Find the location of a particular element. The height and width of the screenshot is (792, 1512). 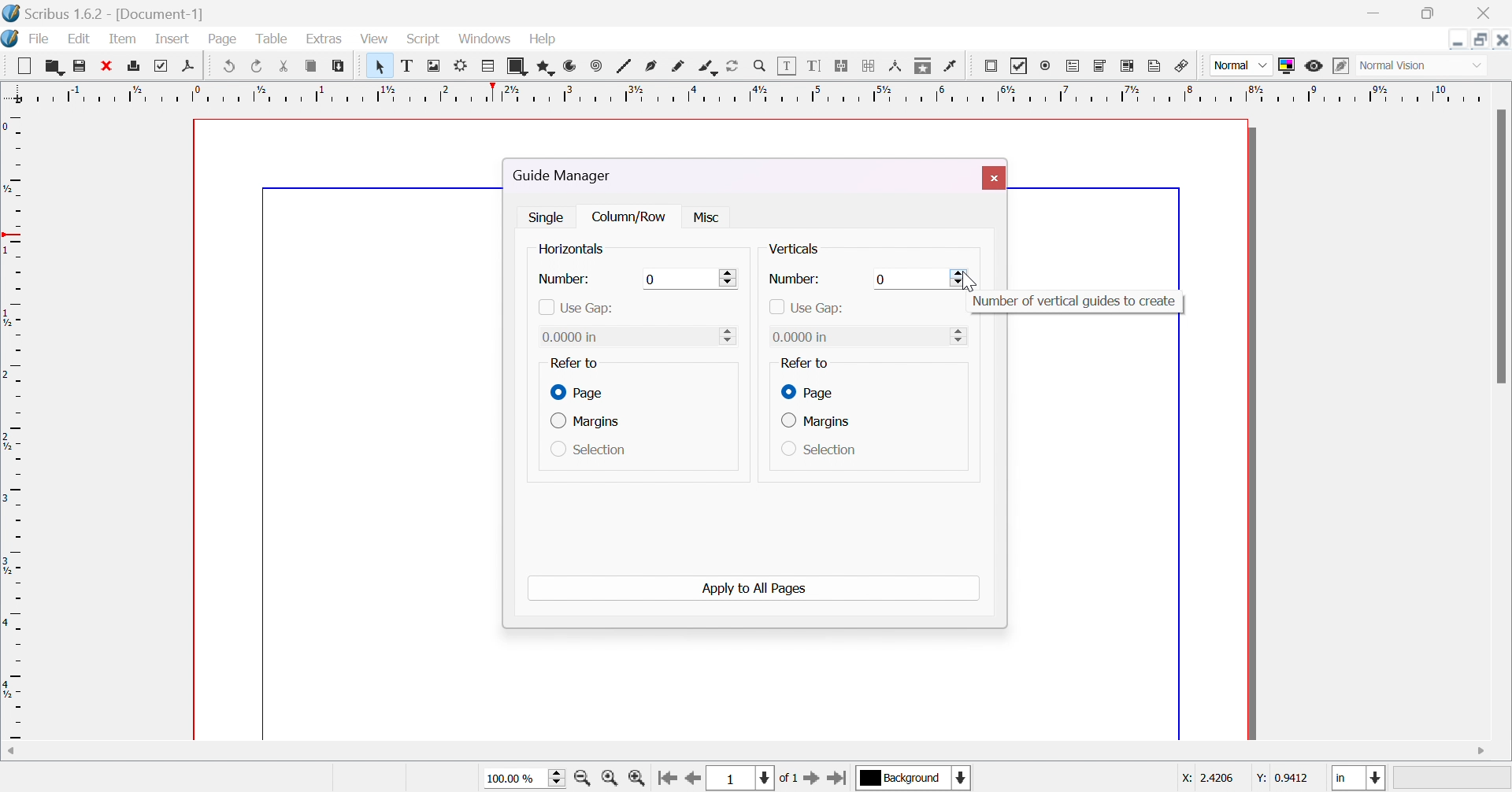

print is located at coordinates (138, 65).